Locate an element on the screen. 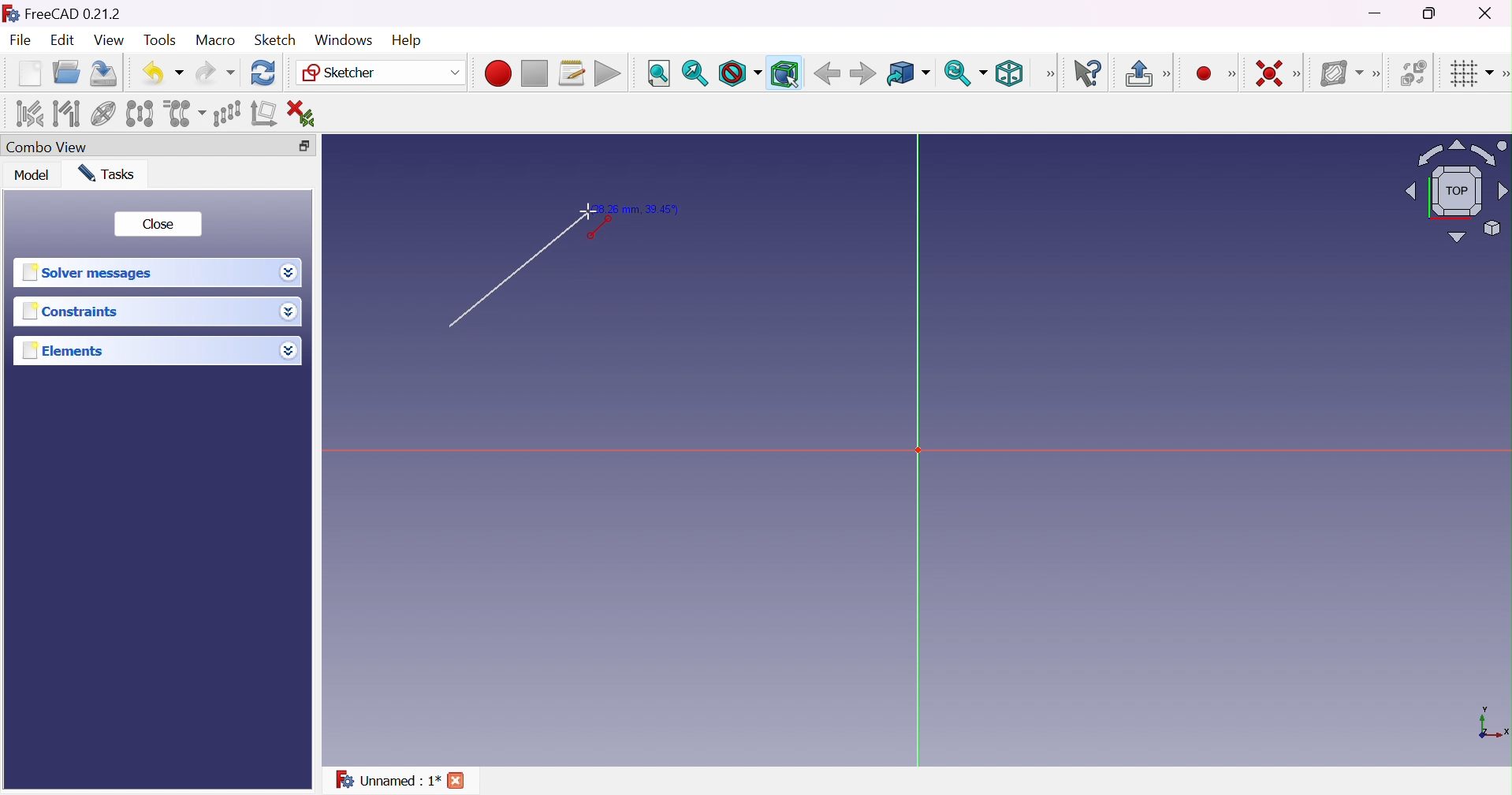  Forward is located at coordinates (863, 75).